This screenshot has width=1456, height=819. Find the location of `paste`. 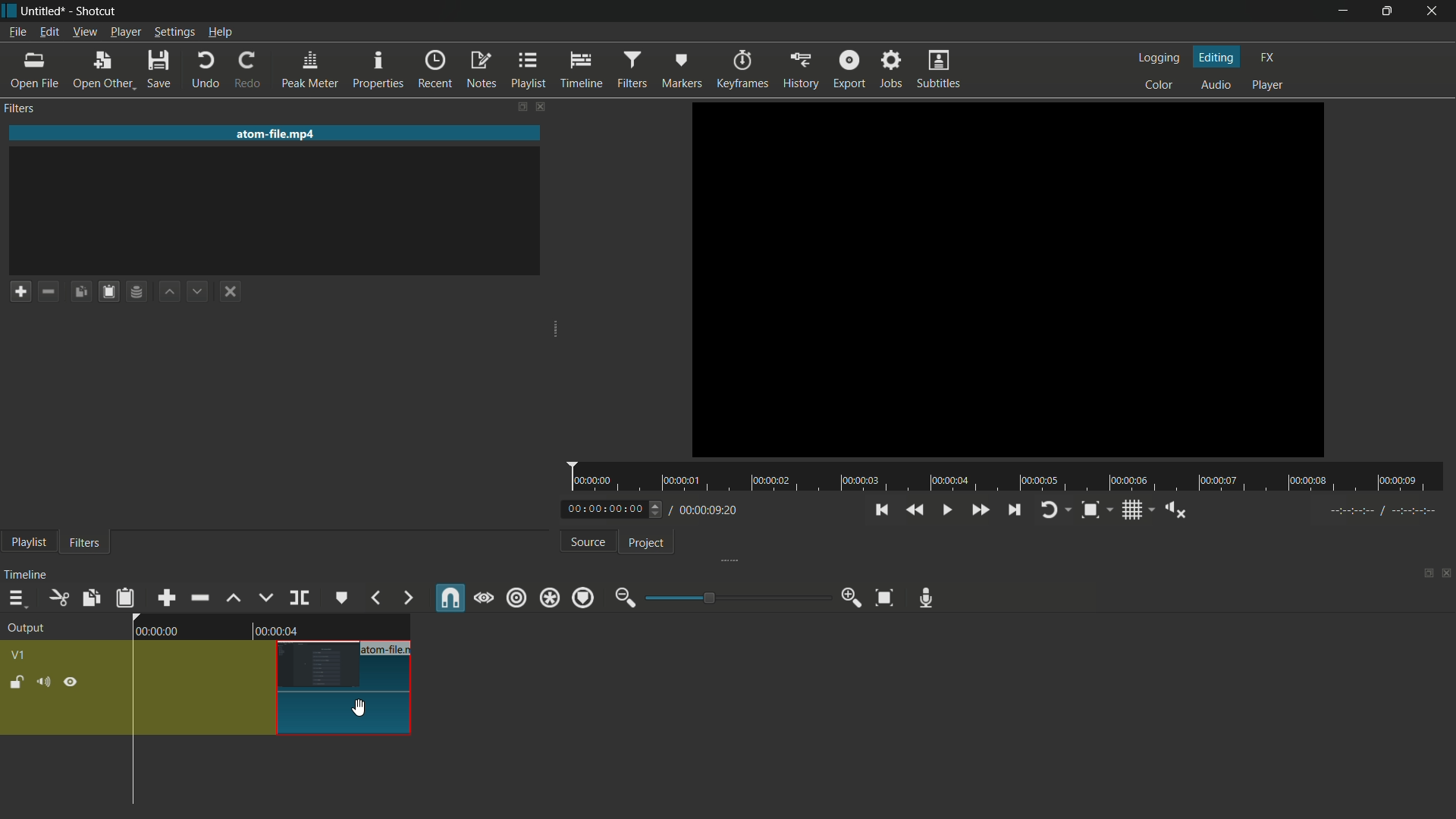

paste is located at coordinates (108, 291).